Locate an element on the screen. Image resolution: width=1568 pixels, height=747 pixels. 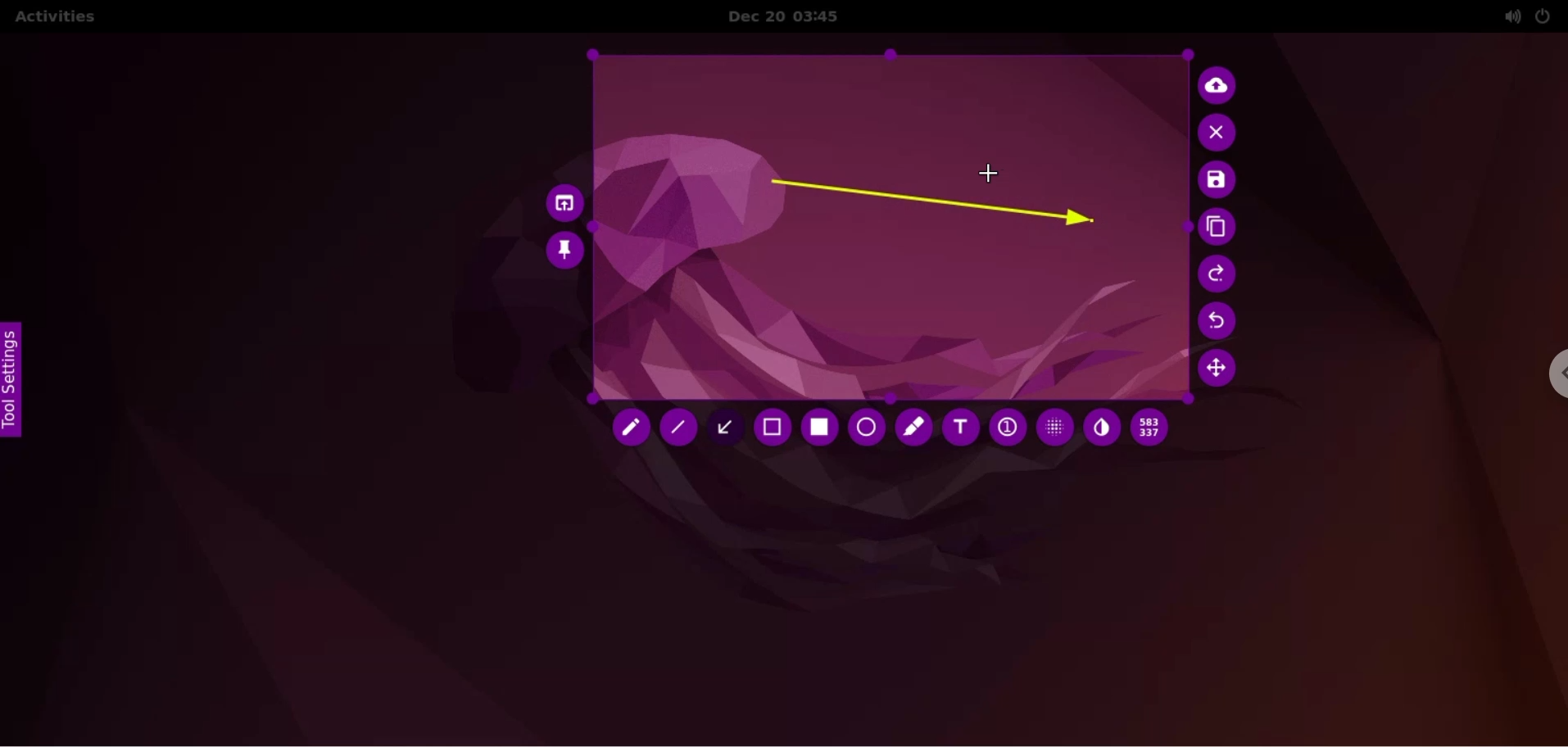
upload is located at coordinates (1221, 84).